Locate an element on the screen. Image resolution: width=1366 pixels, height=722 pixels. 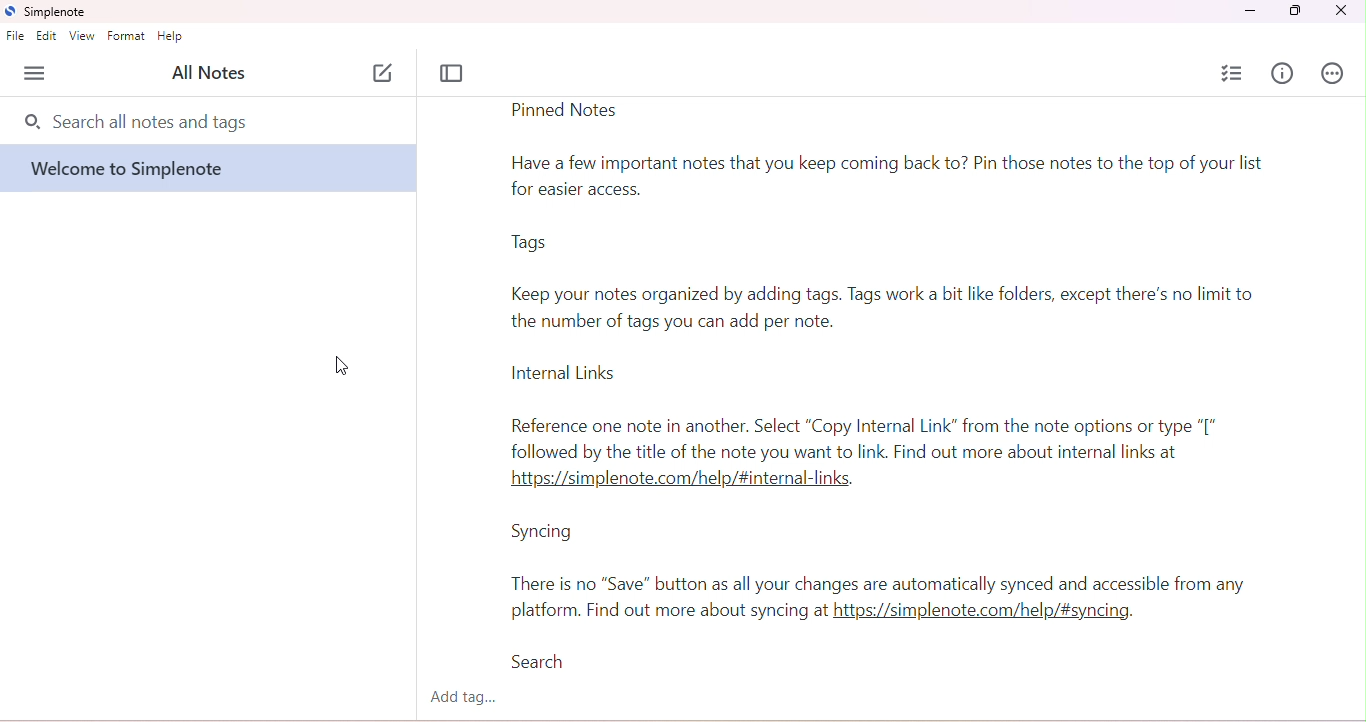
internal links is located at coordinates (578, 374).